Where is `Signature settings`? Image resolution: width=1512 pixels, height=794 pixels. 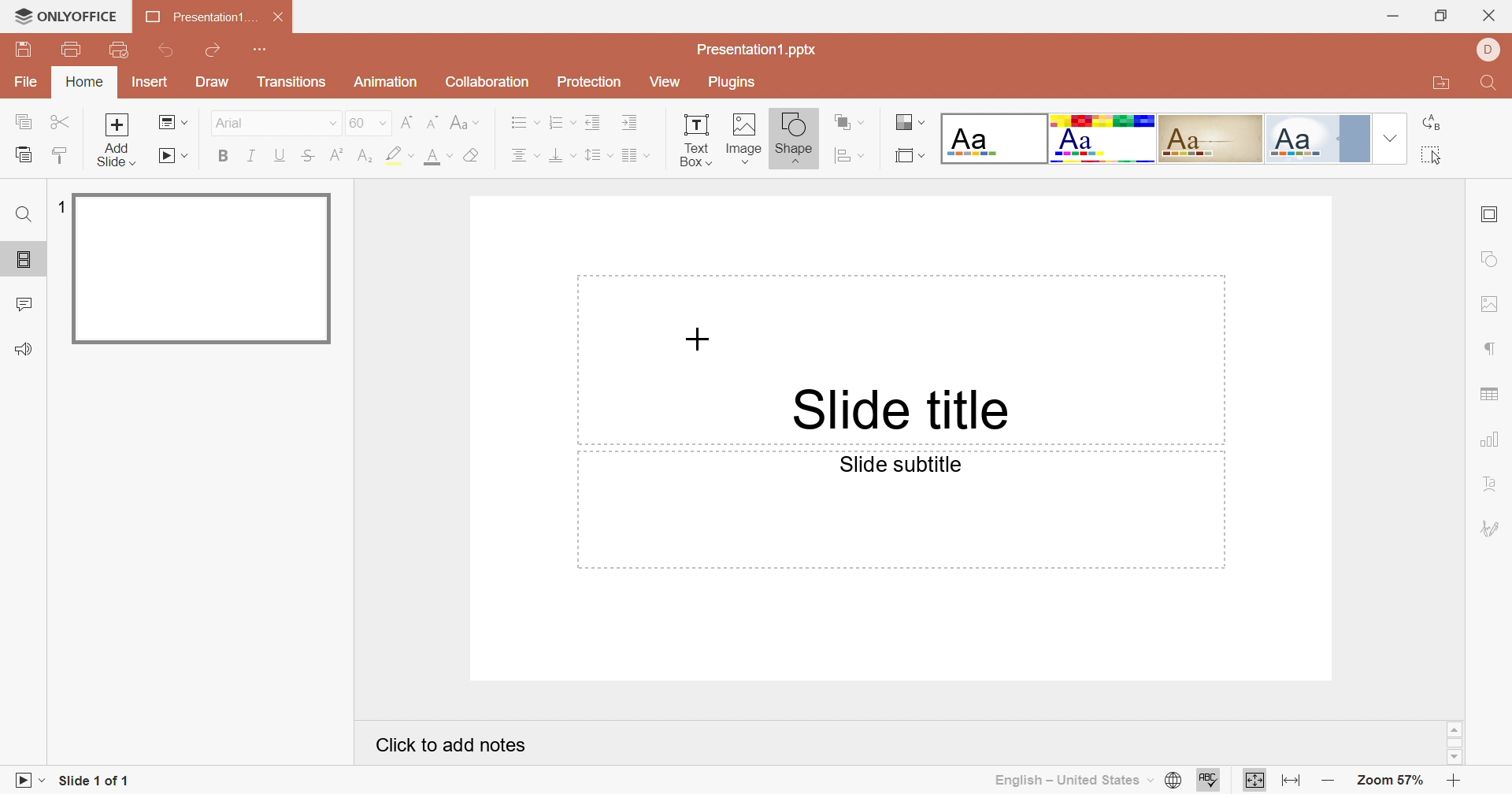
Signature settings is located at coordinates (1492, 525).